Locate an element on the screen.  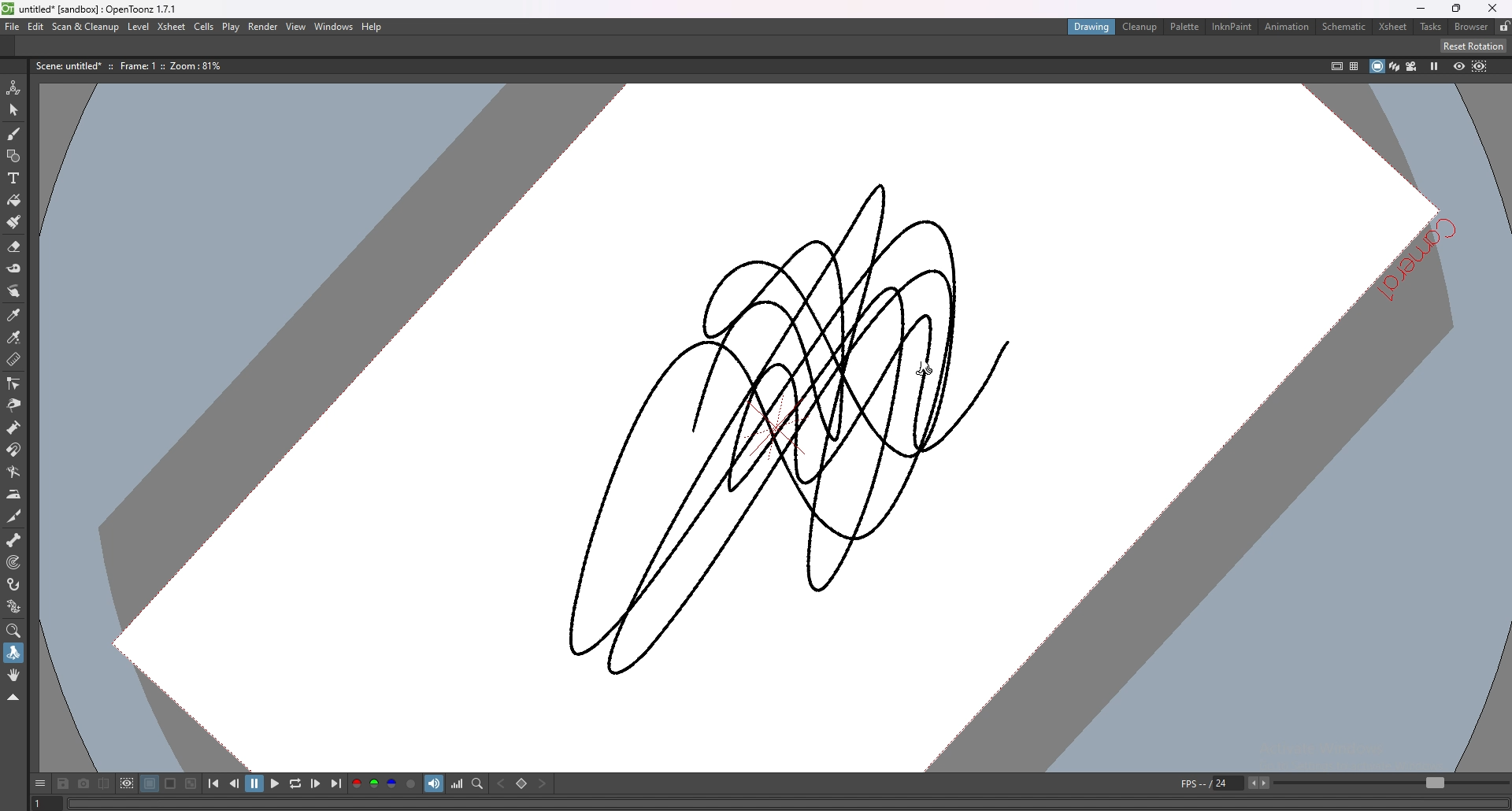
freeze is located at coordinates (1434, 66).